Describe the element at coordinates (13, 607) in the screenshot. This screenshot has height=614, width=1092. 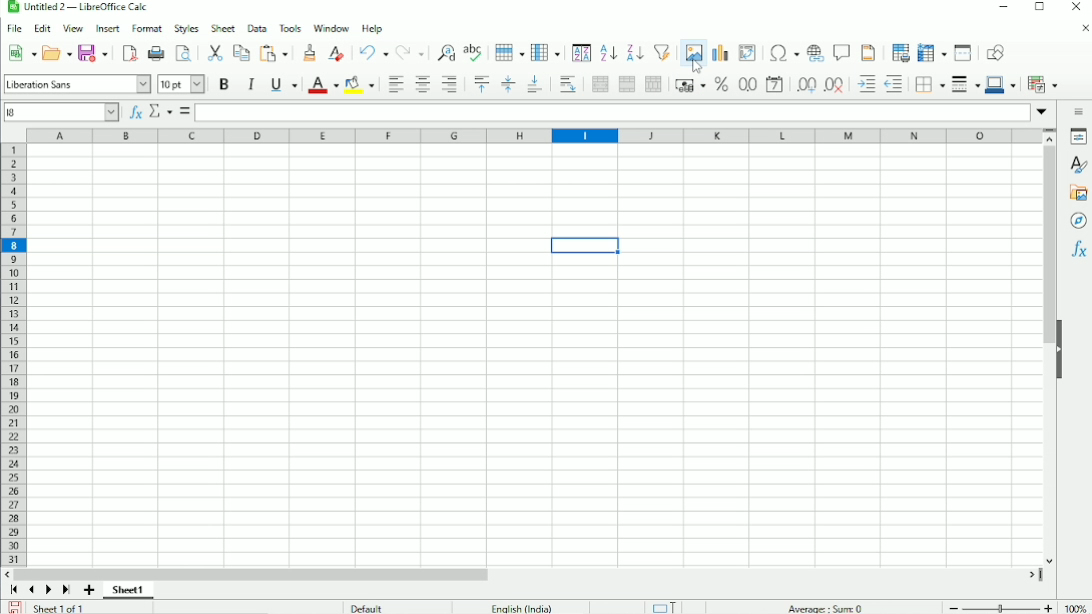
I see `Save` at that location.